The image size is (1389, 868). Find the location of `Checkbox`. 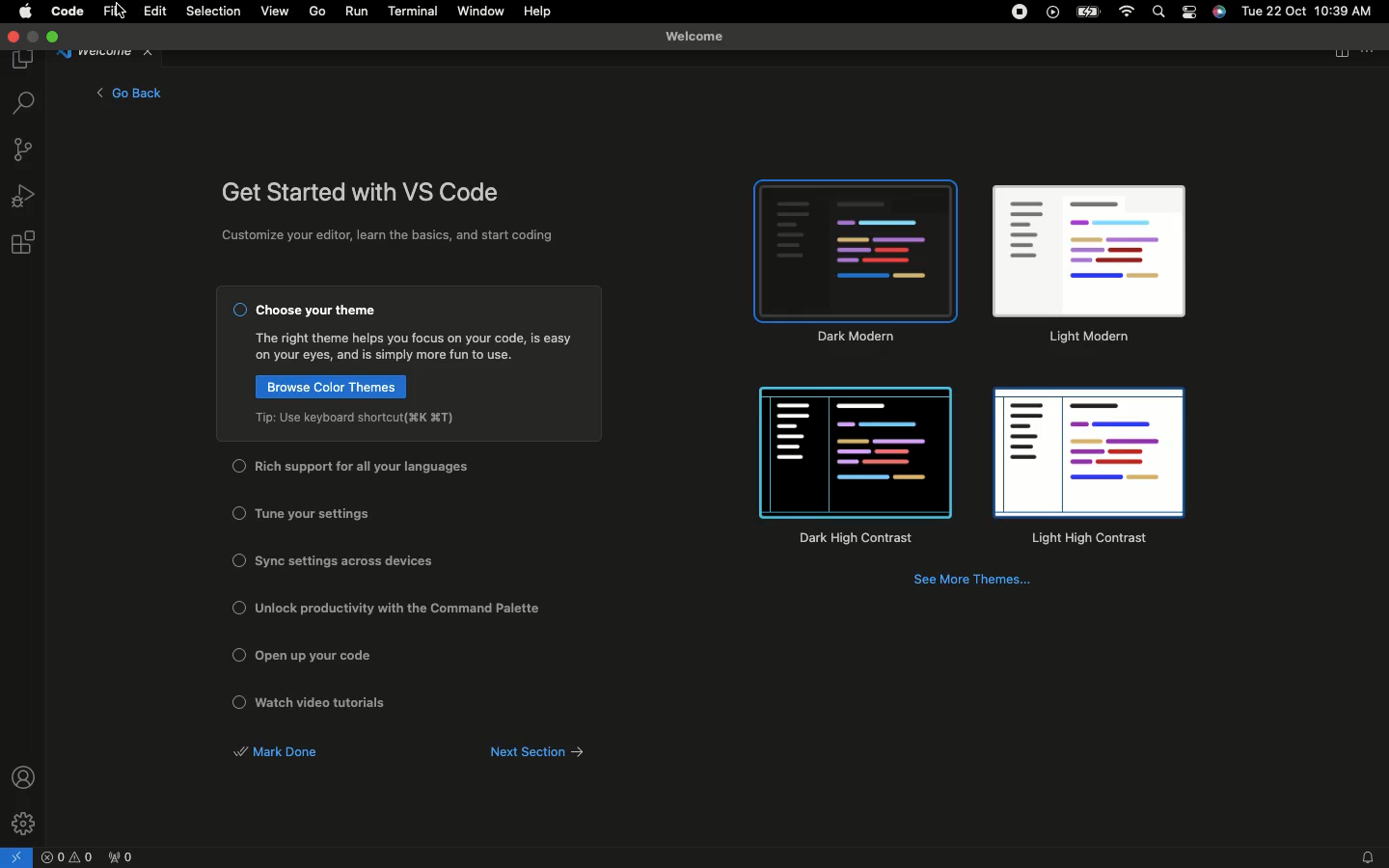

Checkbox is located at coordinates (236, 653).